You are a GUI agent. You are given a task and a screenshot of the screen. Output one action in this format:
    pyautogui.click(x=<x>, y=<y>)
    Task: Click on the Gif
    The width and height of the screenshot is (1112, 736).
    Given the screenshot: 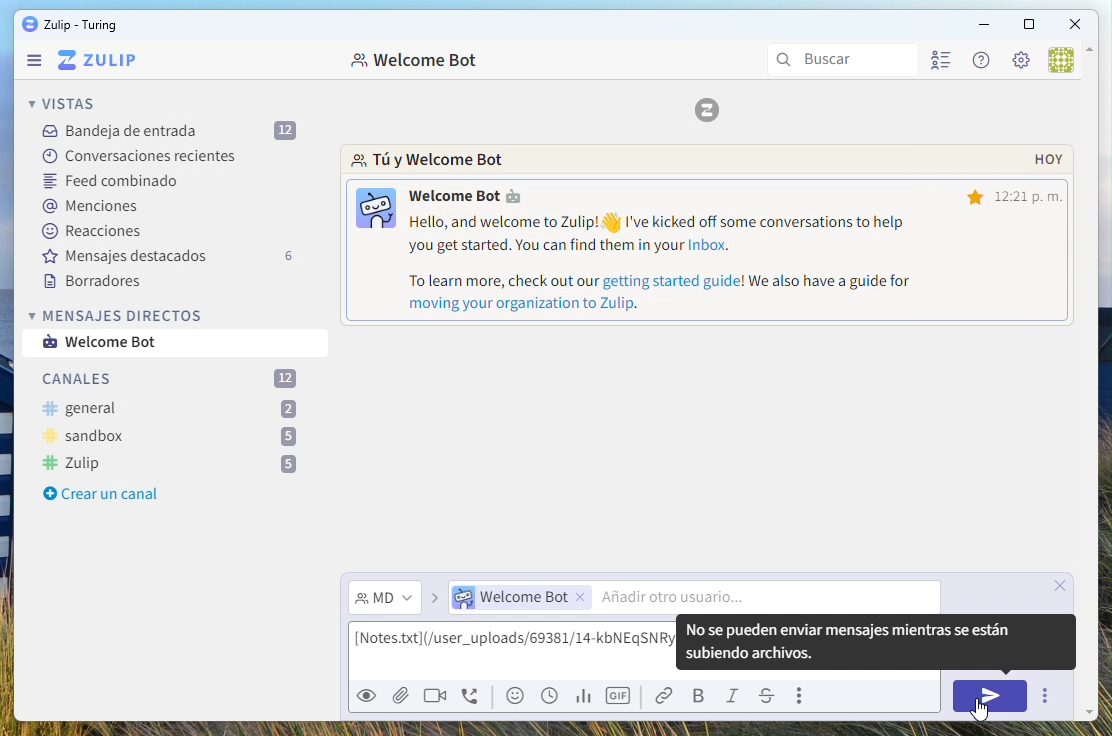 What is the action you would take?
    pyautogui.click(x=620, y=696)
    